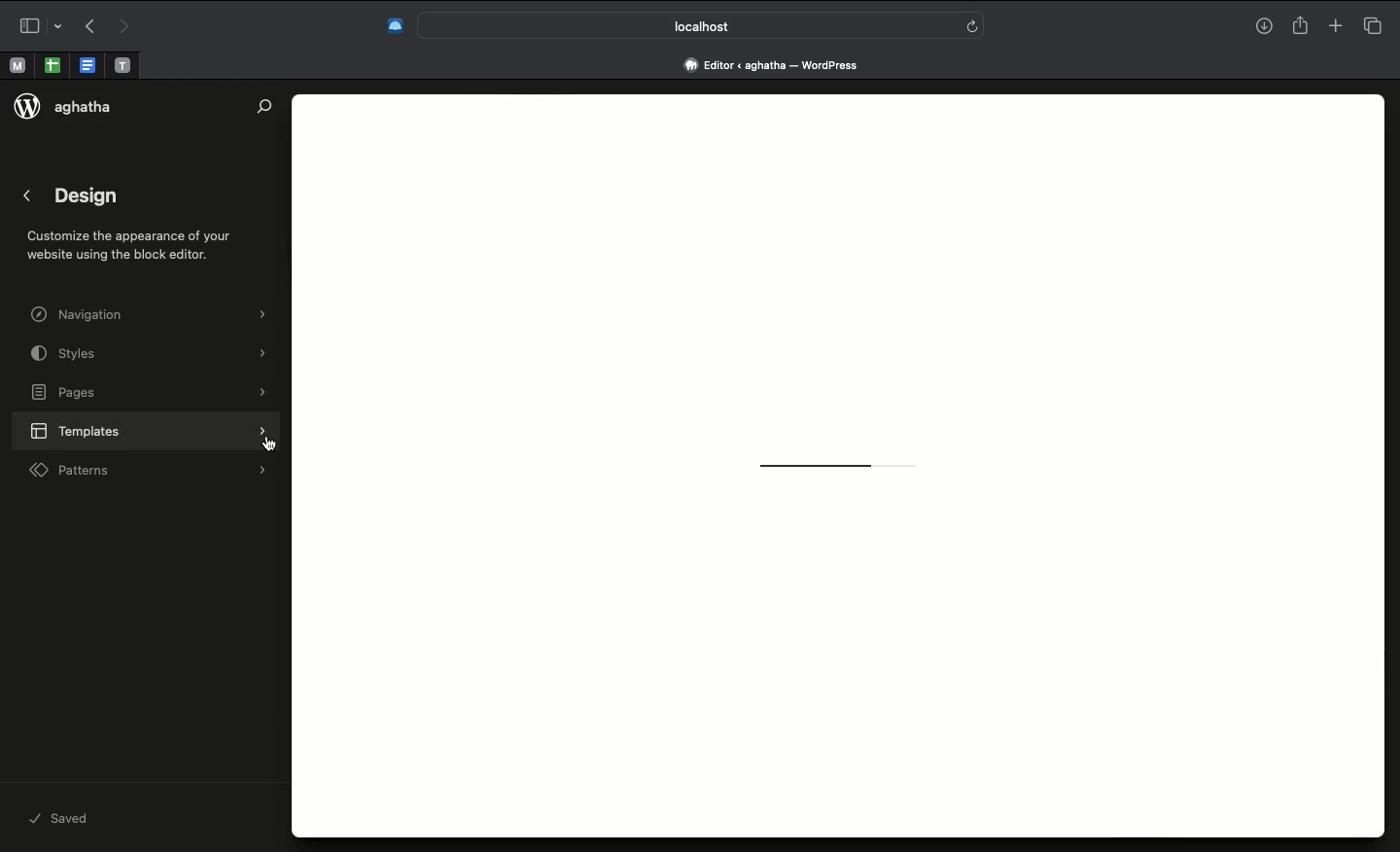 The height and width of the screenshot is (852, 1400). I want to click on Search, so click(262, 108).